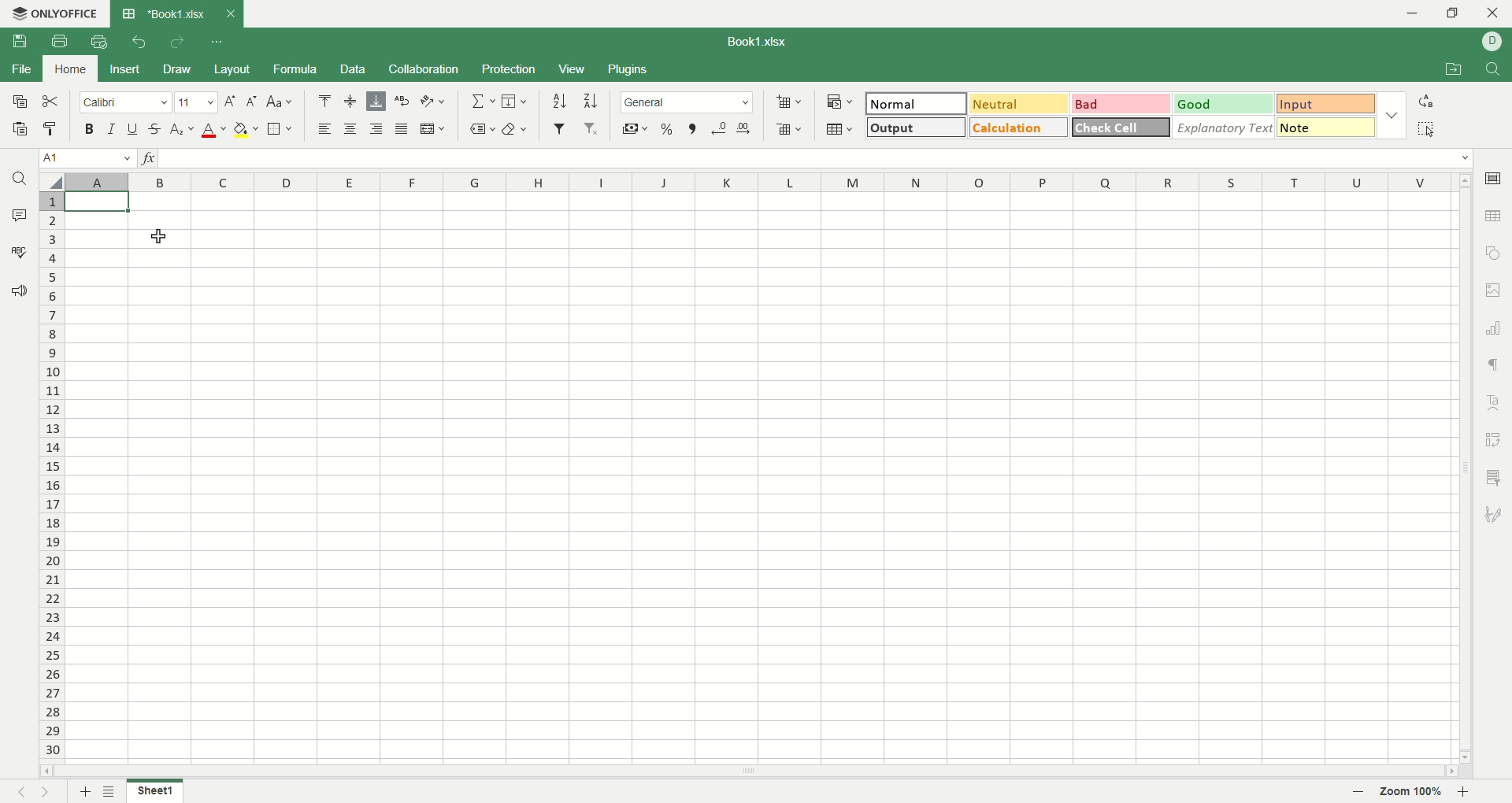 This screenshot has height=803, width=1512. What do you see at coordinates (1495, 290) in the screenshot?
I see `image settings` at bounding box center [1495, 290].